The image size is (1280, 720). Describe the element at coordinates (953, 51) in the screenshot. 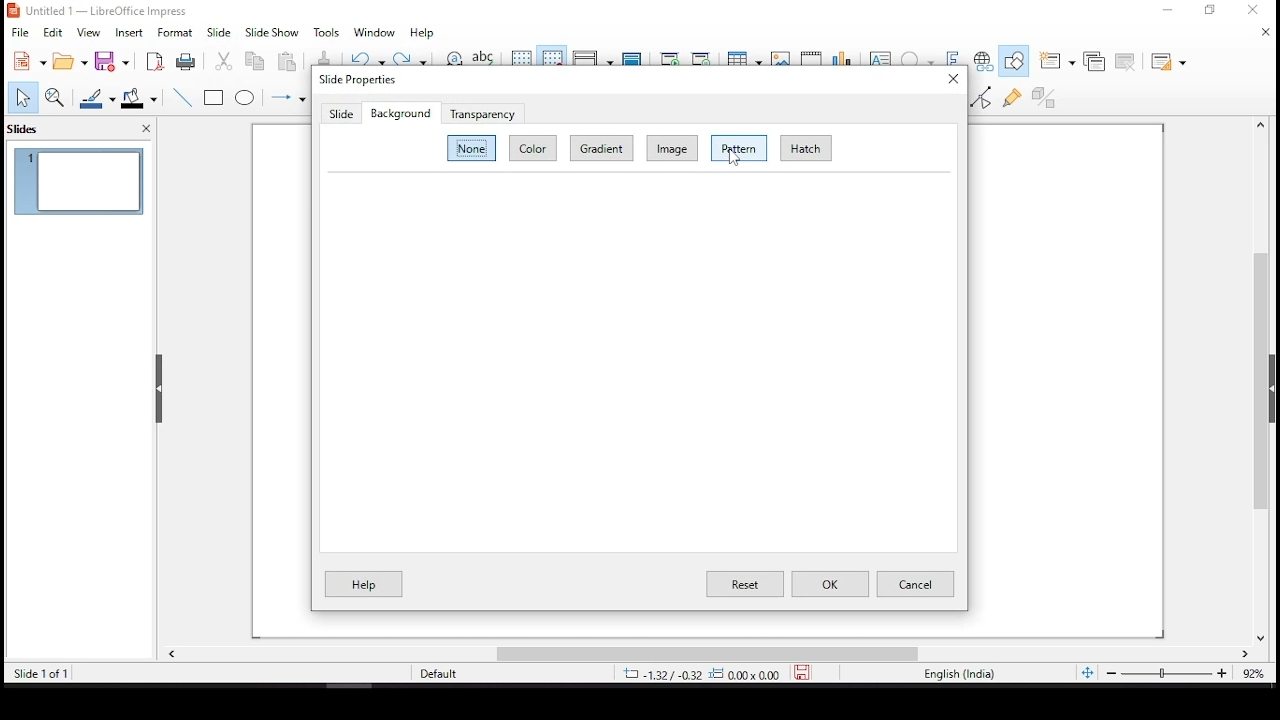

I see `insert font work text` at that location.